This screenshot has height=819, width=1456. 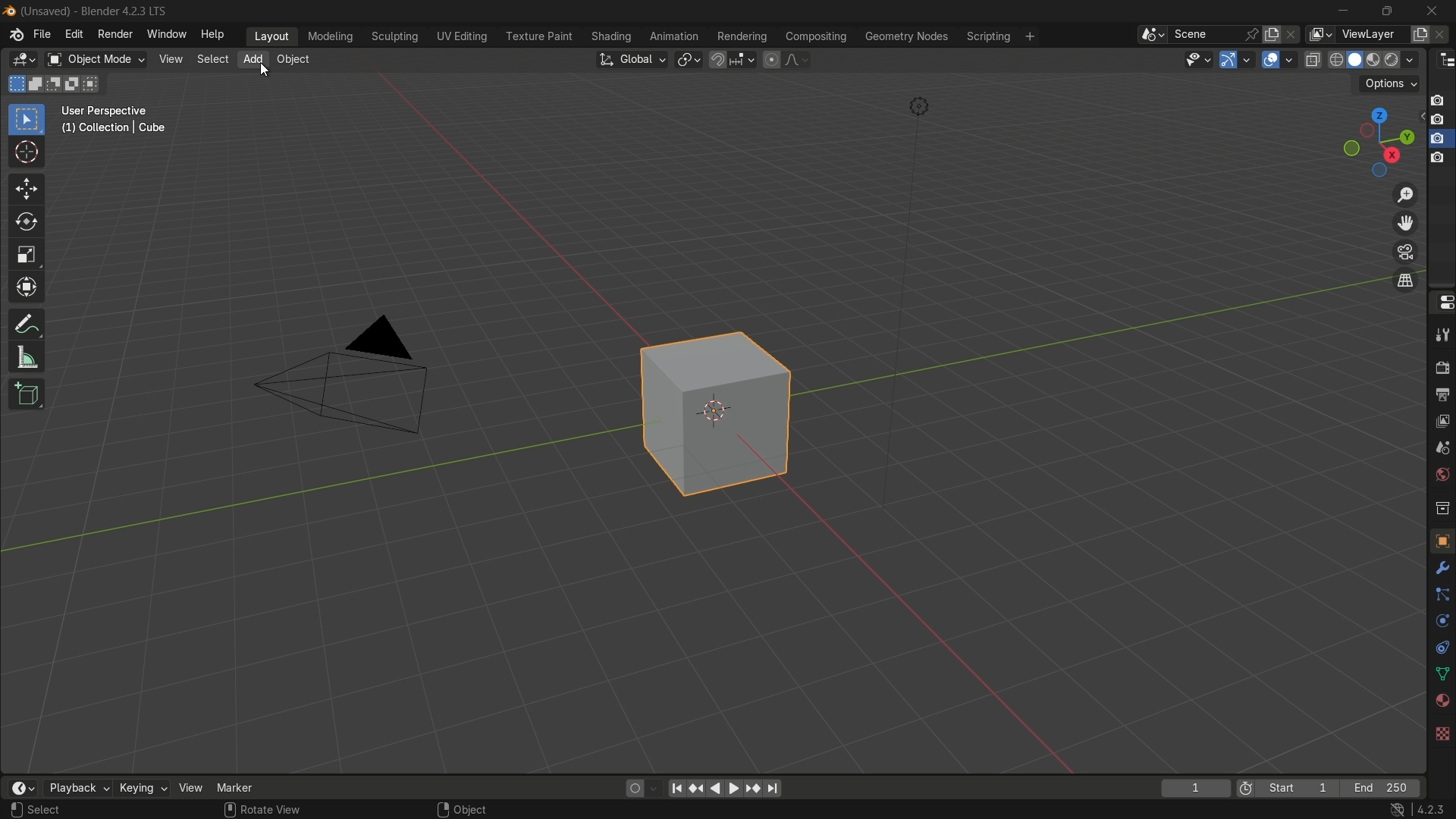 What do you see at coordinates (1388, 11) in the screenshot?
I see `maximize or restore` at bounding box center [1388, 11].